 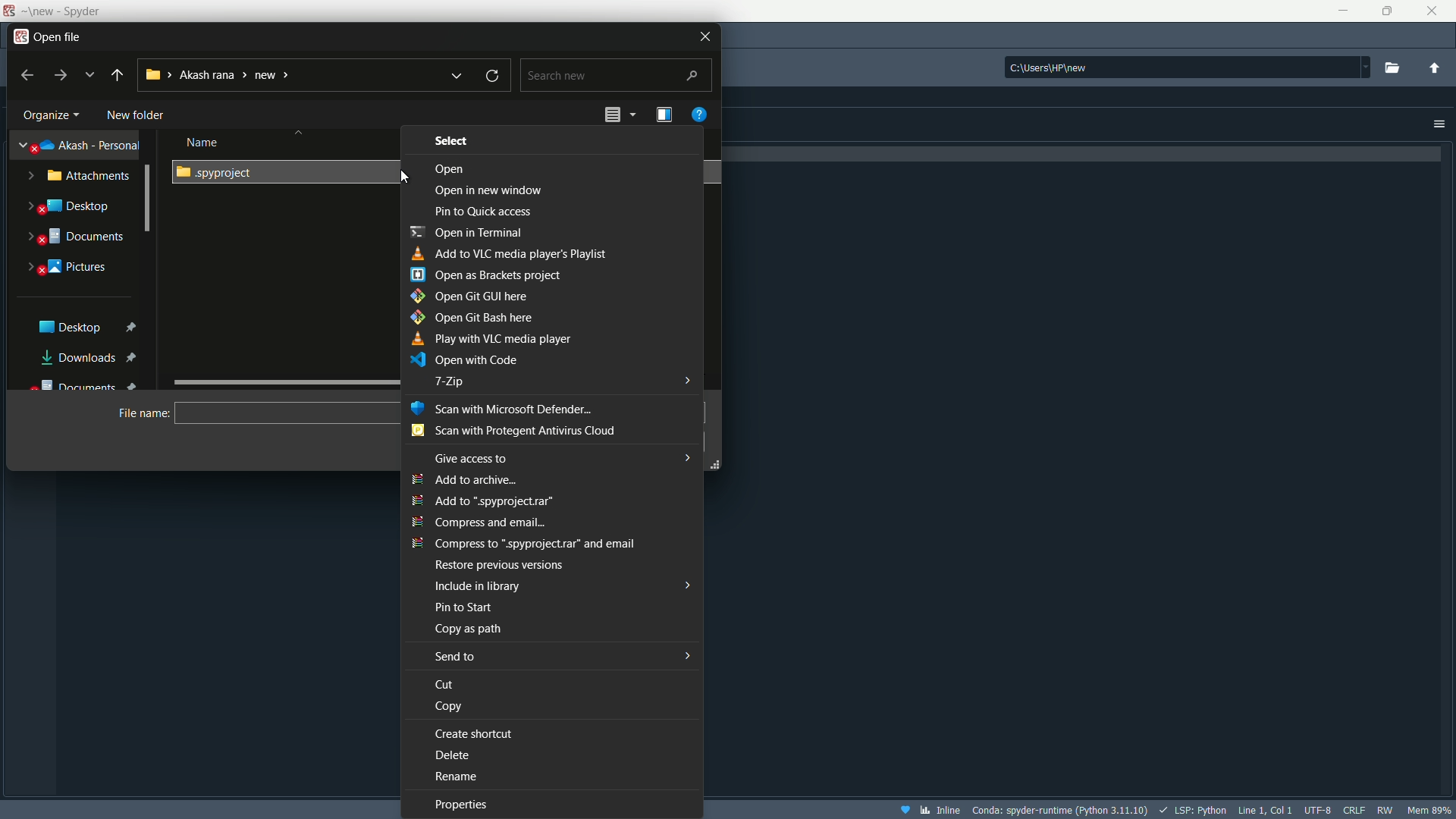 What do you see at coordinates (286, 171) in the screenshot?
I see `File folder` at bounding box center [286, 171].